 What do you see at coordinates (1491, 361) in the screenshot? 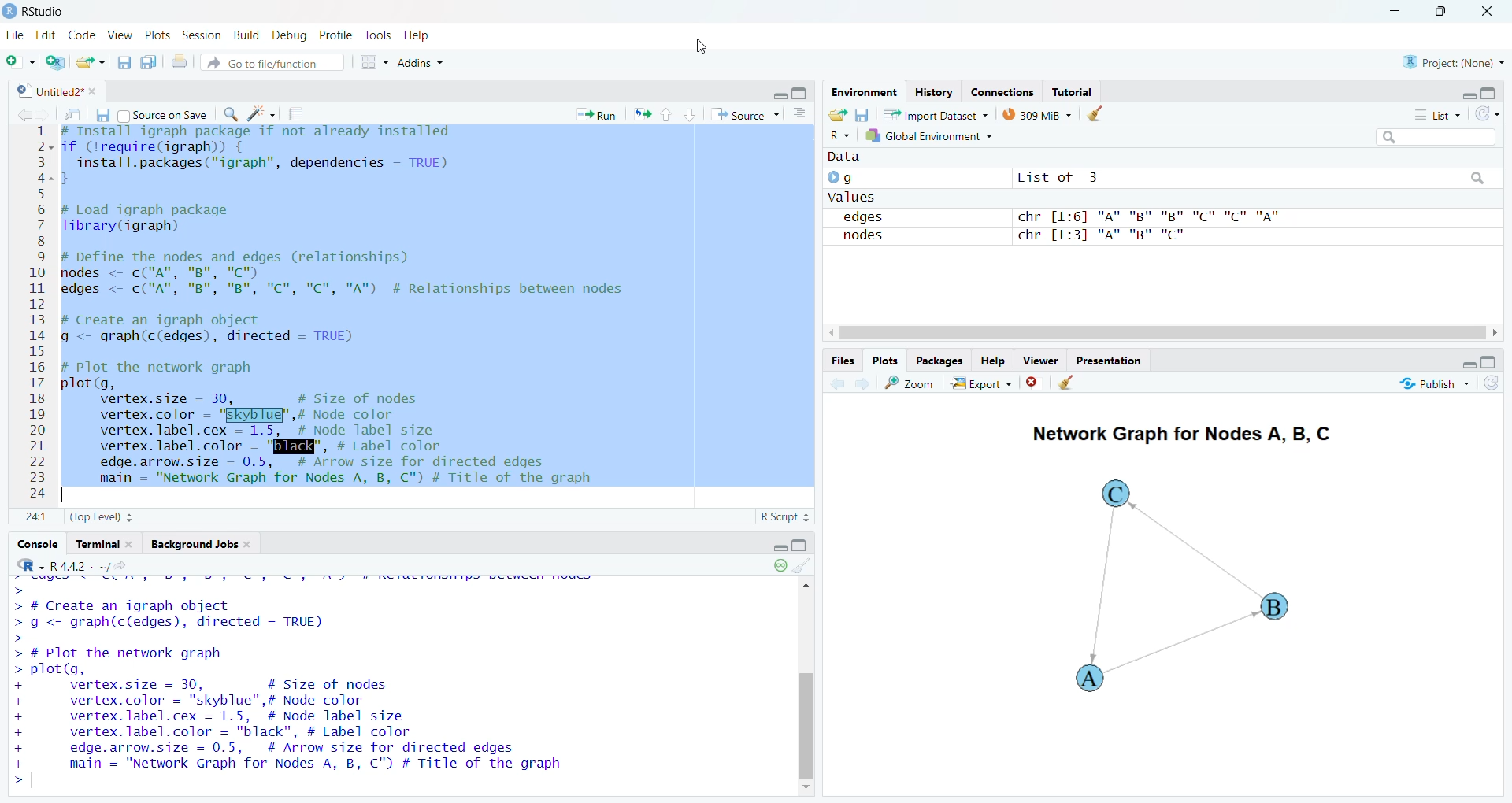
I see `maximise` at bounding box center [1491, 361].